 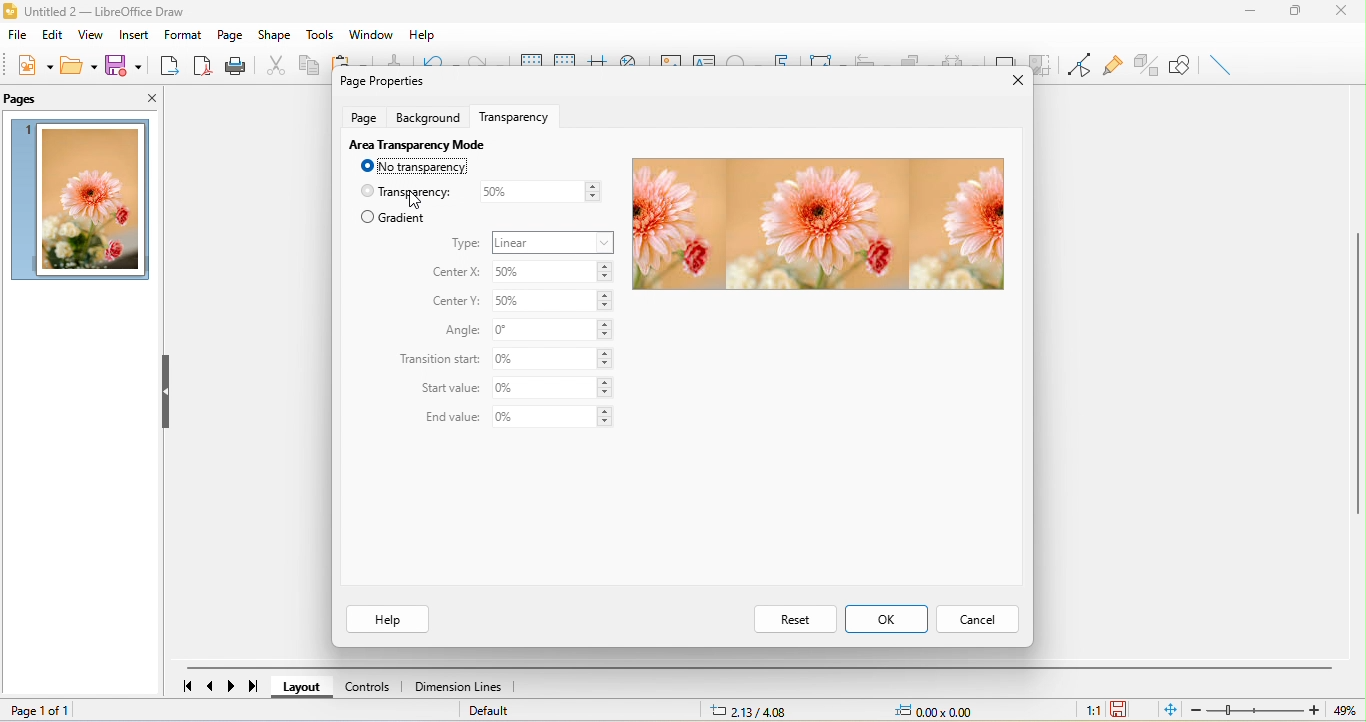 I want to click on transition start, so click(x=440, y=360).